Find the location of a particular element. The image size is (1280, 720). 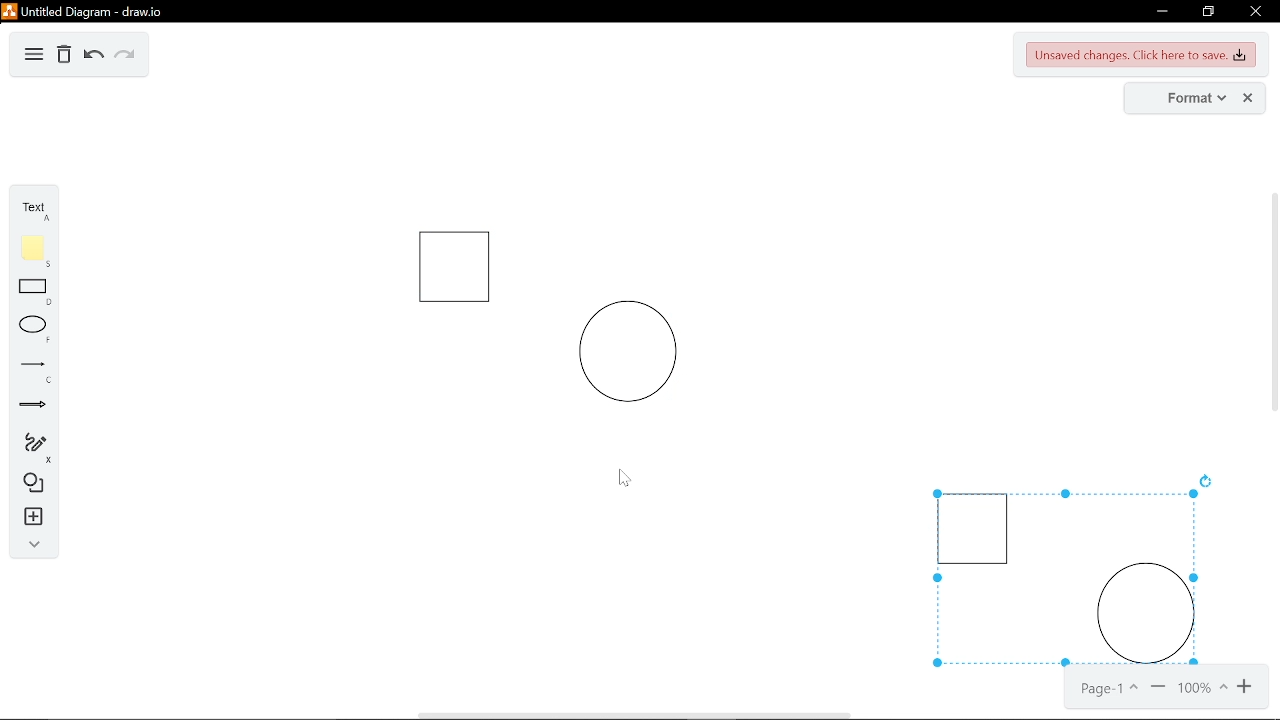

diagram is located at coordinates (34, 55).